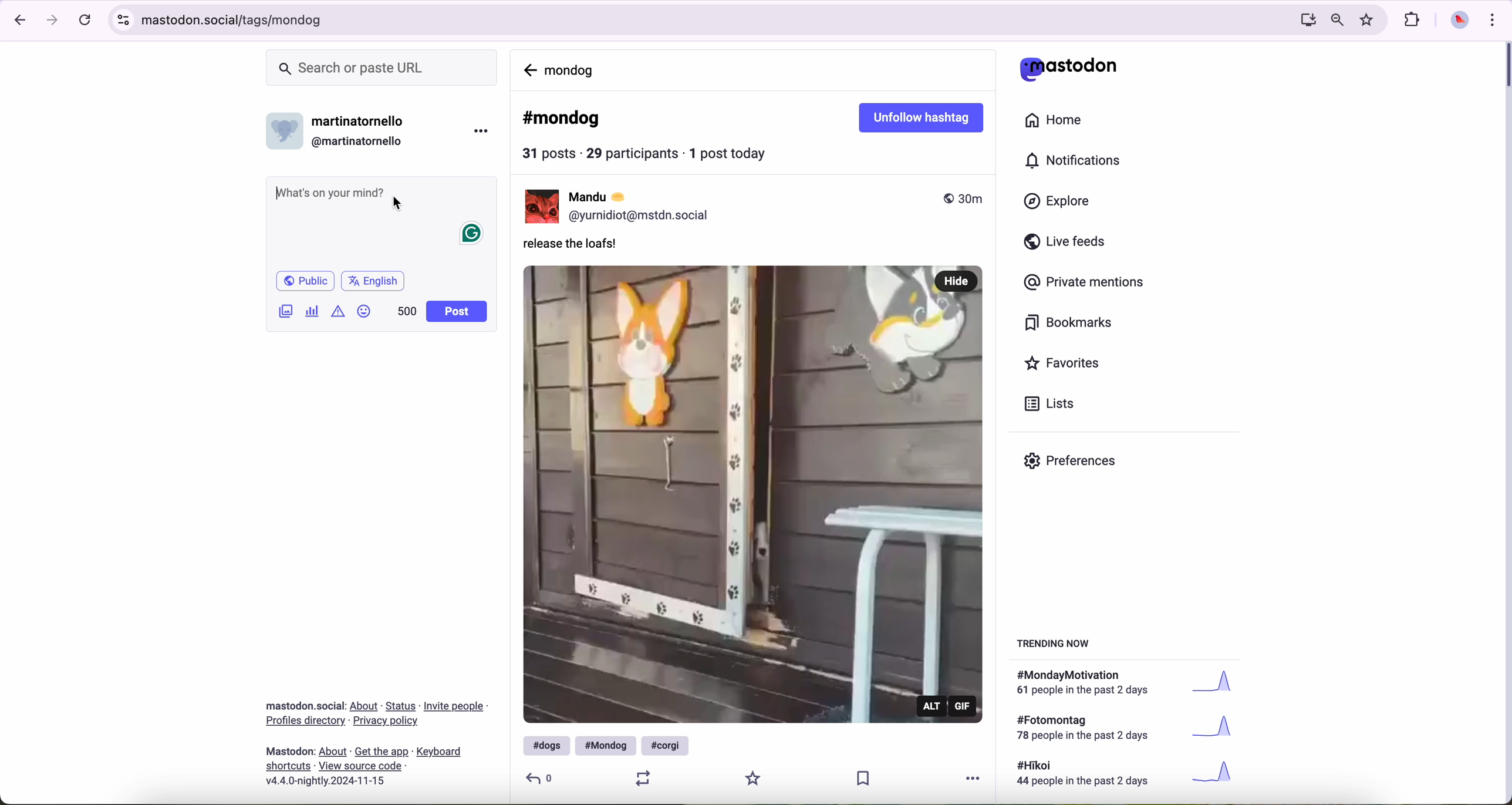 This screenshot has width=1512, height=805. Describe the element at coordinates (18, 21) in the screenshot. I see `navigate back` at that location.